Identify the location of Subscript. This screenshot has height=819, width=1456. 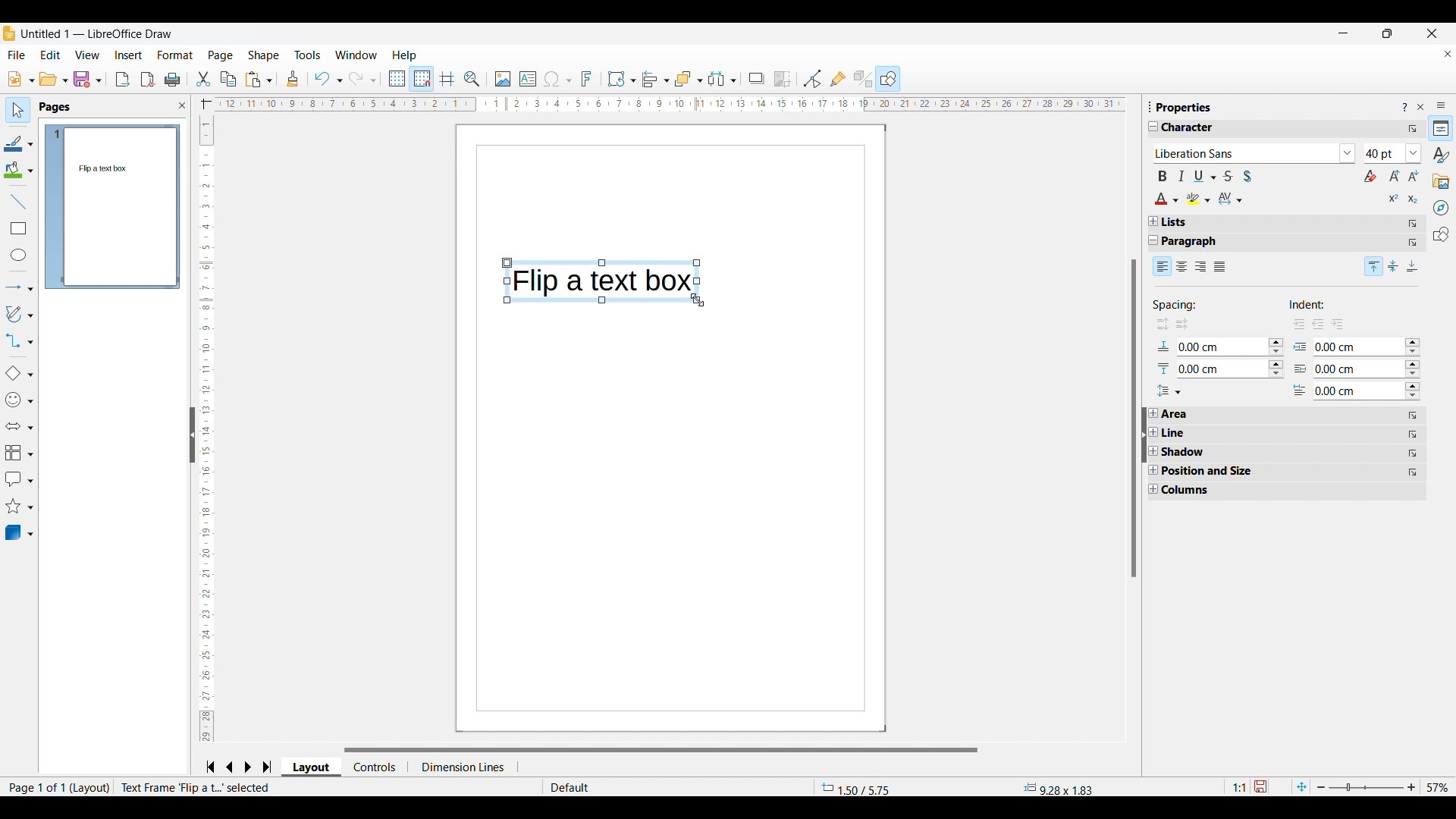
(1414, 199).